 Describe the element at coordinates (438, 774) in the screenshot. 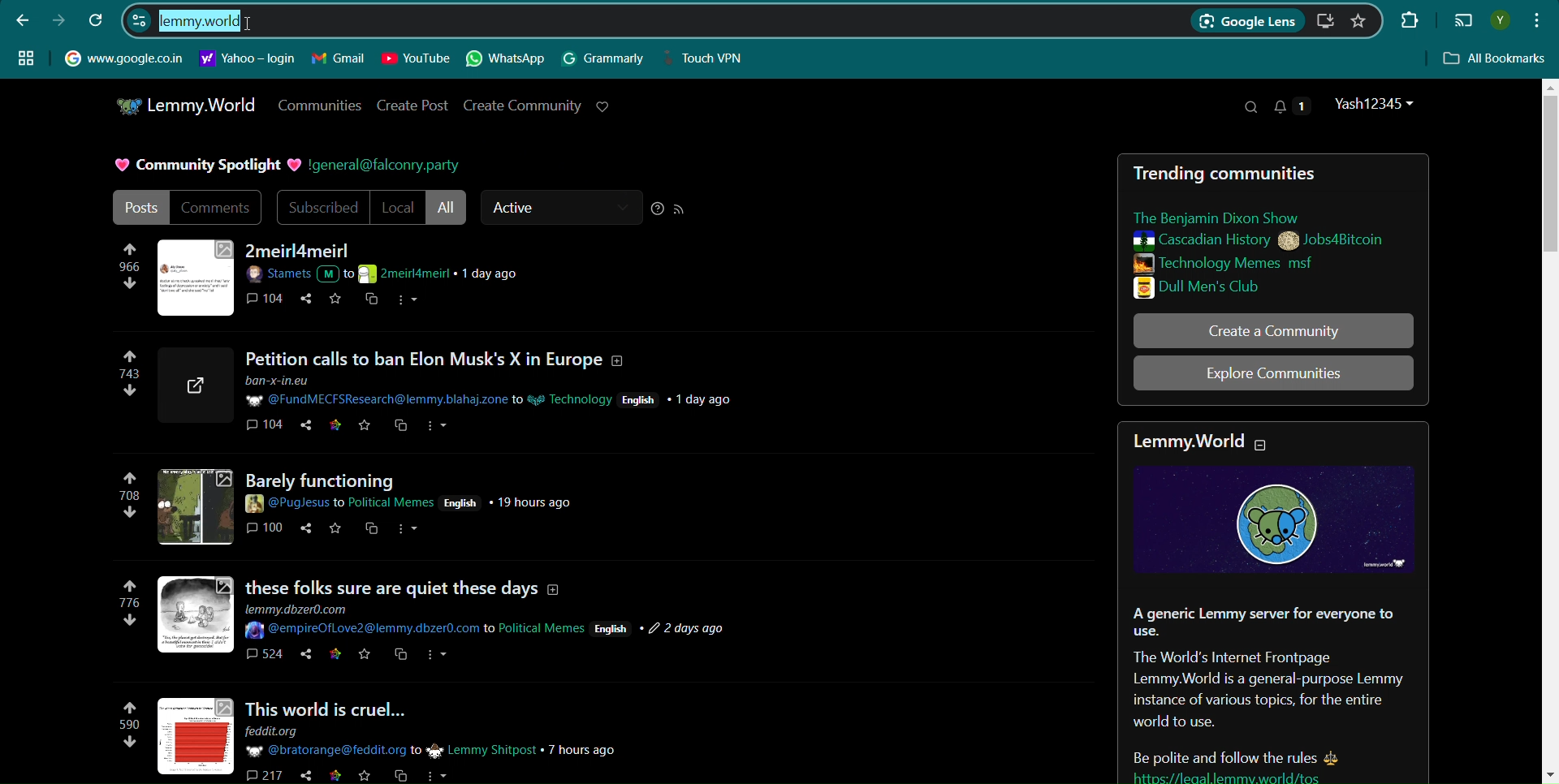

I see `more` at that location.